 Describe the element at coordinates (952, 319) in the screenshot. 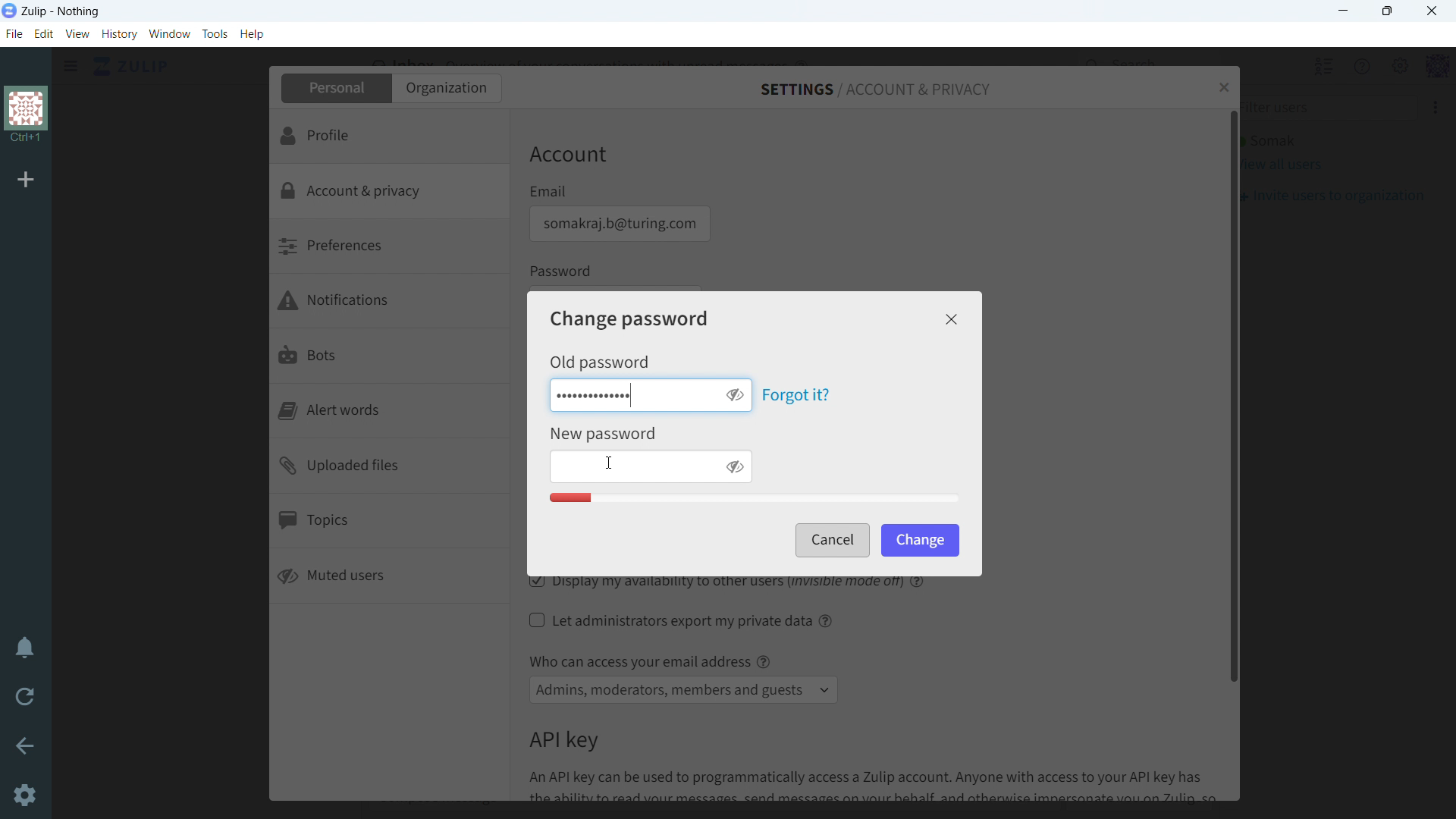

I see `close` at that location.